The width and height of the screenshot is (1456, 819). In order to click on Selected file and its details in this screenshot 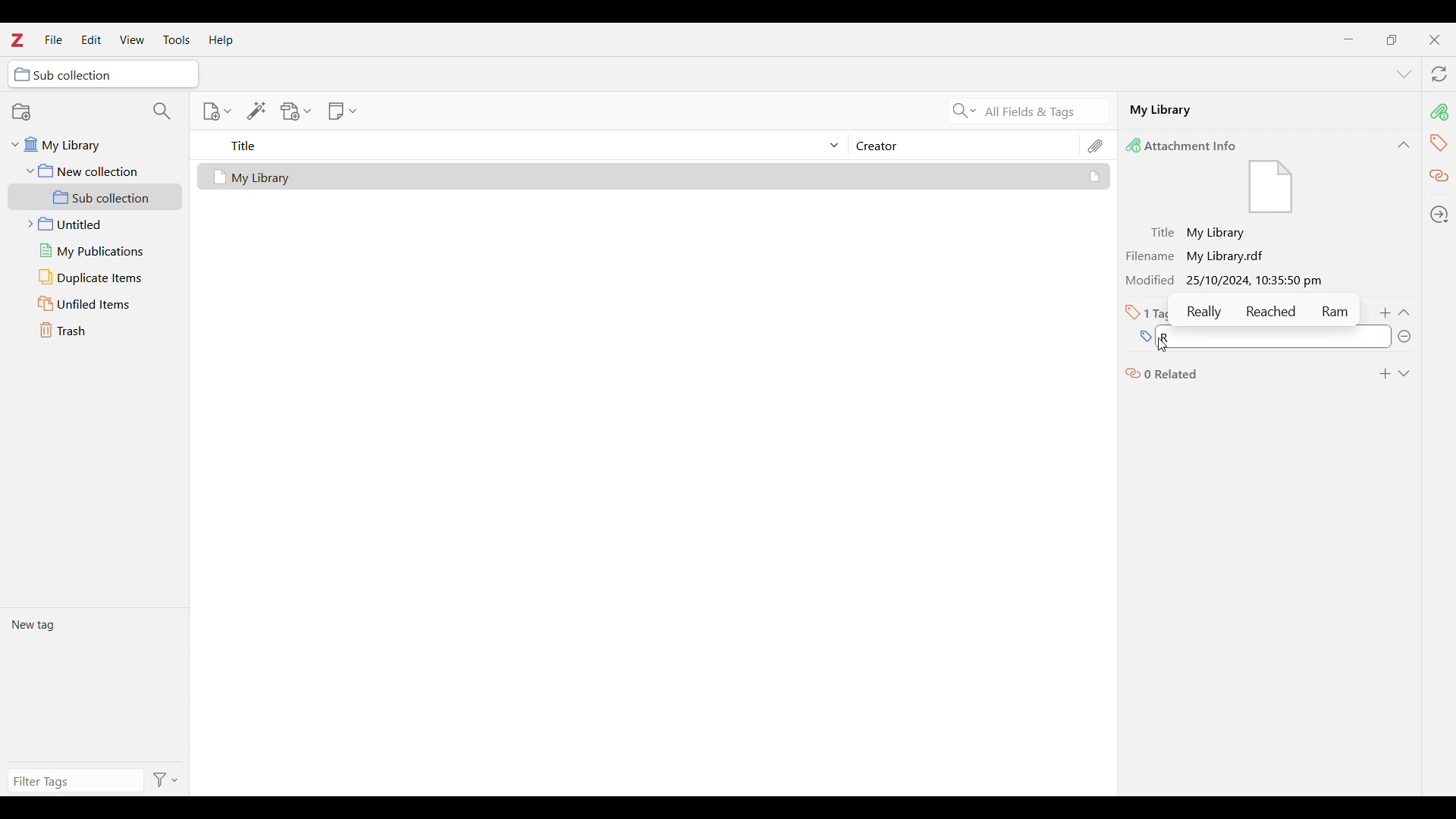, I will do `click(654, 177)`.